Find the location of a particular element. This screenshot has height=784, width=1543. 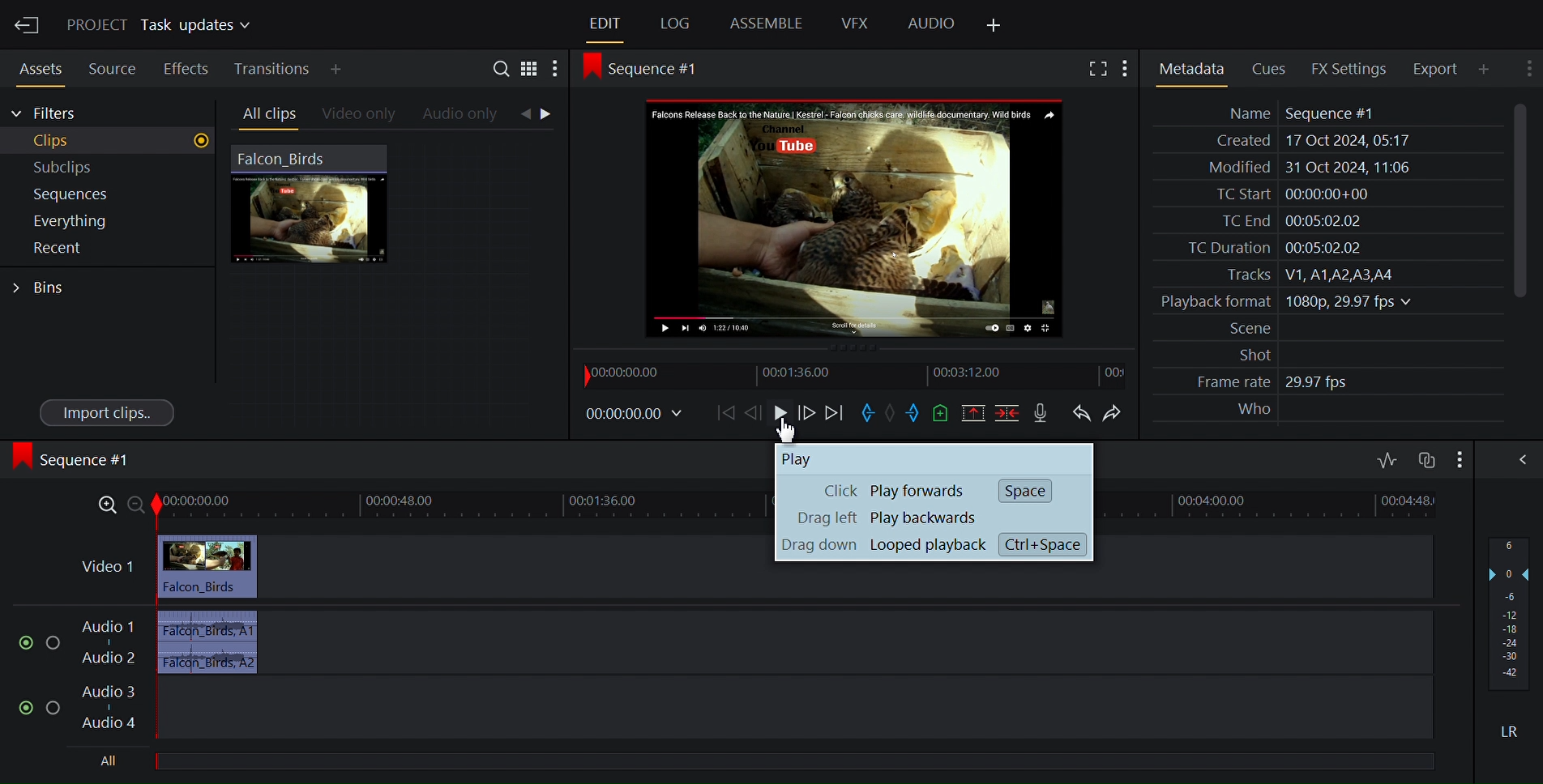

Navigation is located at coordinates (545, 116).